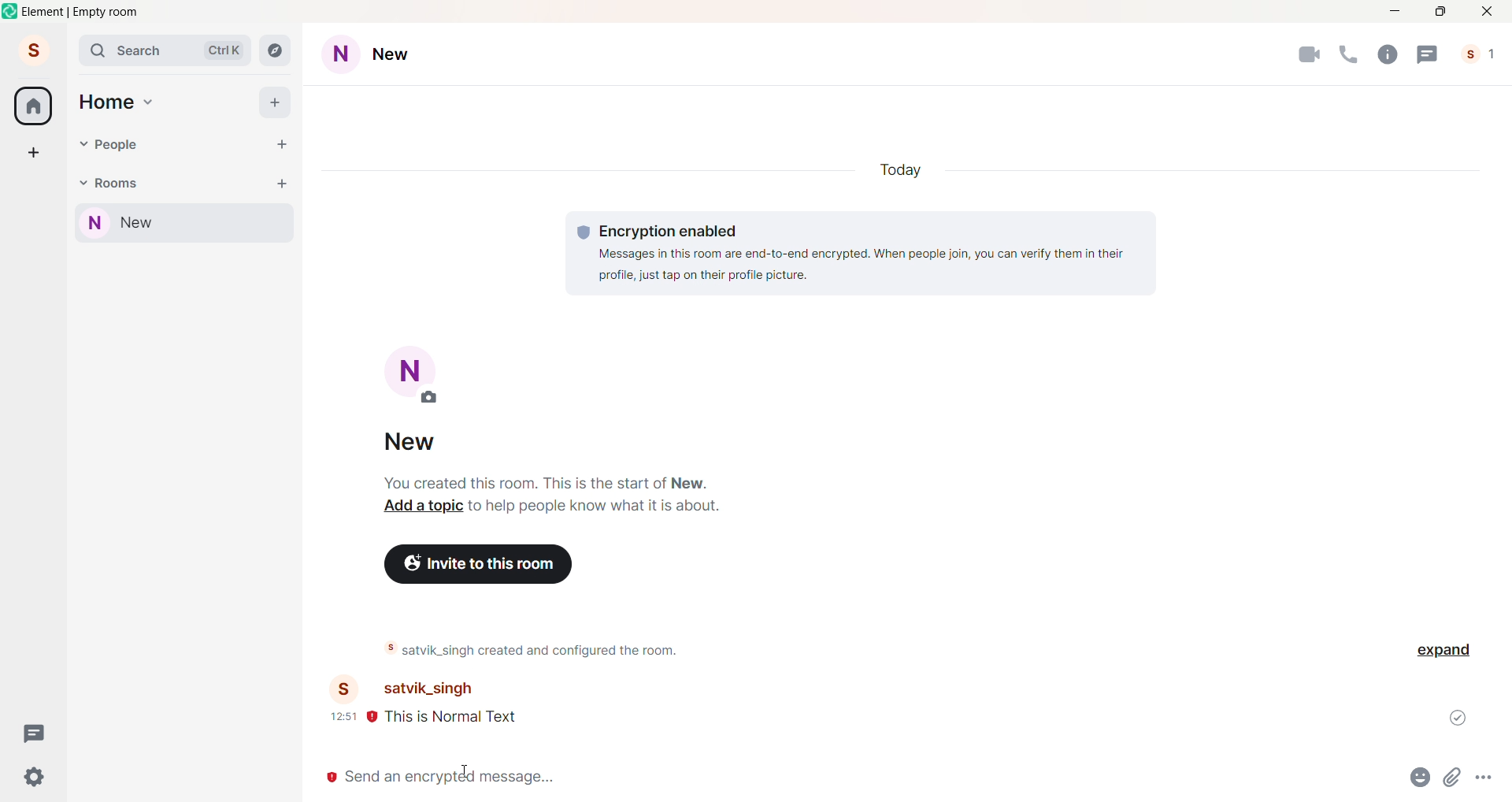 The image size is (1512, 802). Describe the element at coordinates (550, 495) in the screenshot. I see `You created this room. This is the start of New.
Add a topic to help people know what it is about.` at that location.